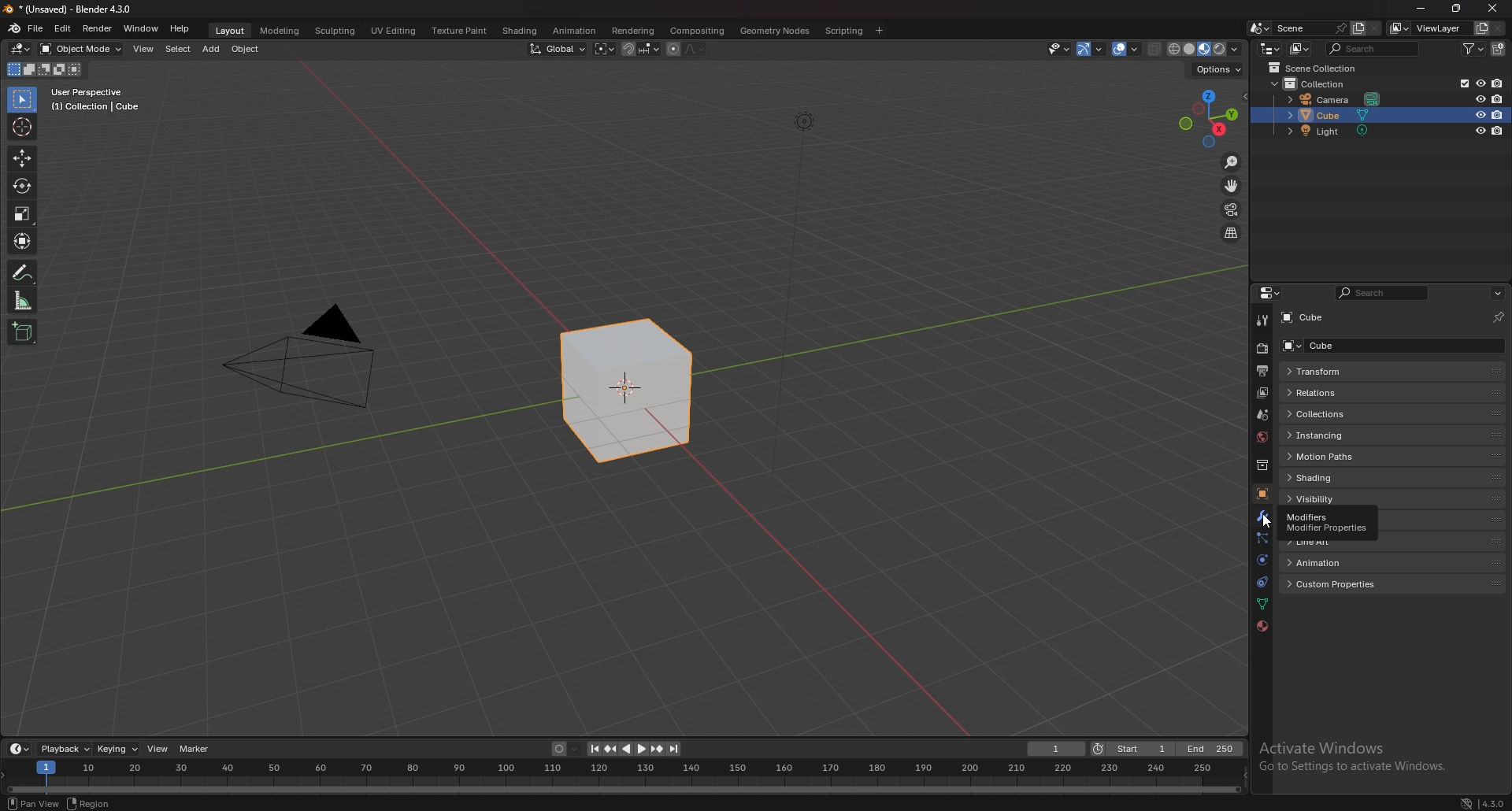 This screenshot has height=811, width=1512. What do you see at coordinates (1493, 803) in the screenshot?
I see `version` at bounding box center [1493, 803].